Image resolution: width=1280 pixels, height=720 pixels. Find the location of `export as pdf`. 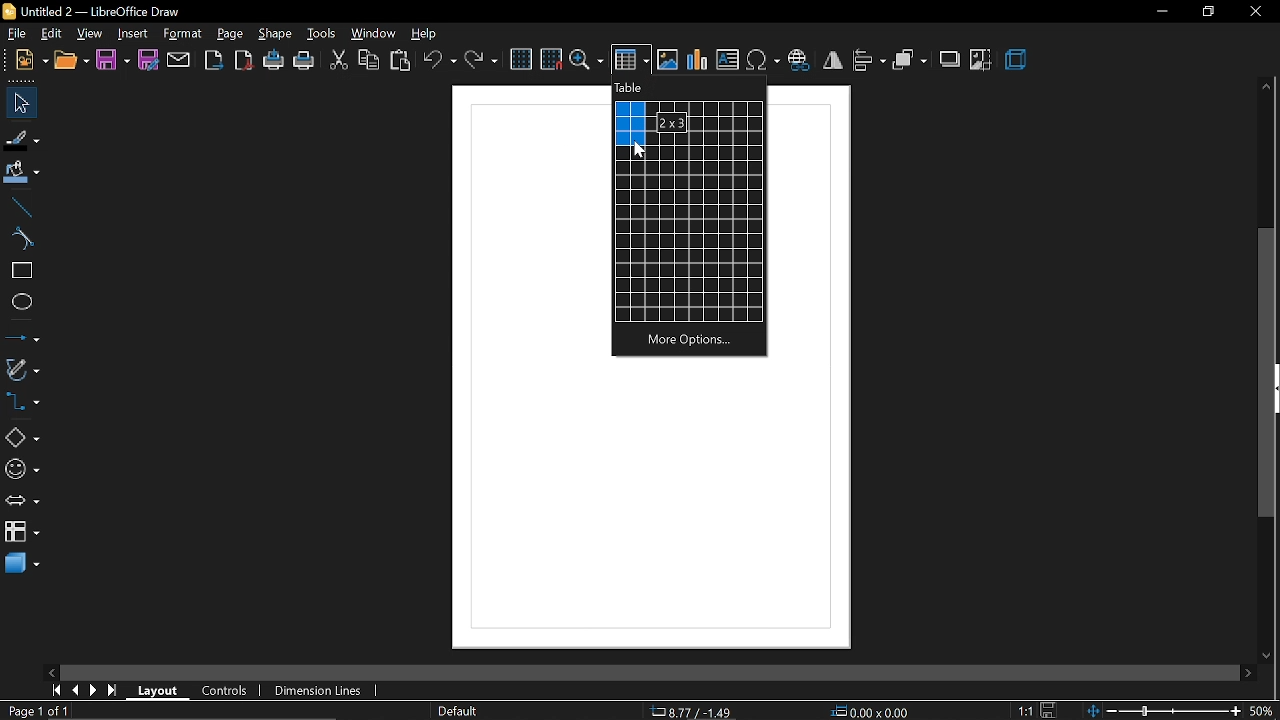

export as pdf is located at coordinates (244, 59).